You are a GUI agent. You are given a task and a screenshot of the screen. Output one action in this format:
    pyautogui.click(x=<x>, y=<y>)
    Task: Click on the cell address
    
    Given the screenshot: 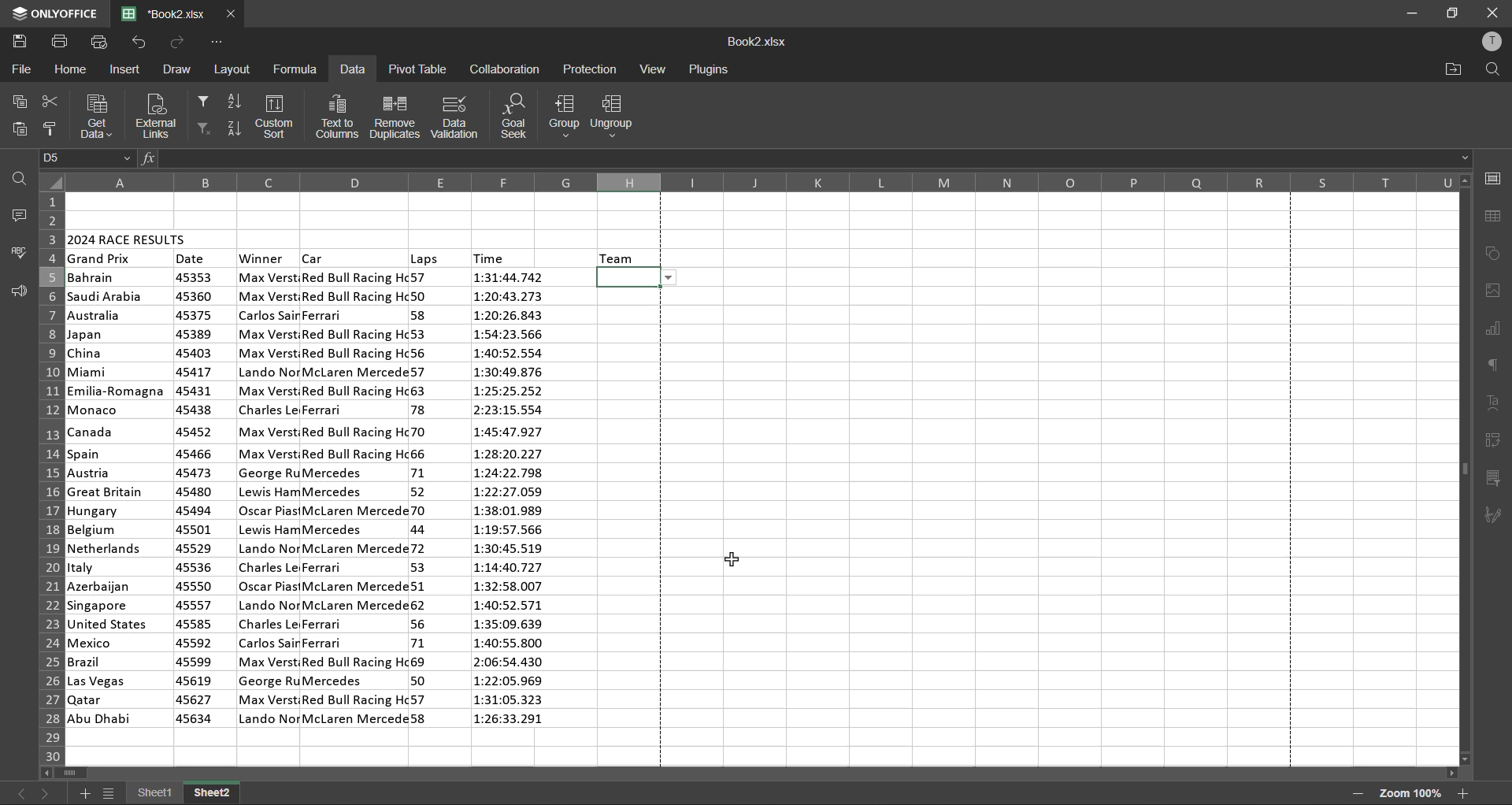 What is the action you would take?
    pyautogui.click(x=87, y=158)
    